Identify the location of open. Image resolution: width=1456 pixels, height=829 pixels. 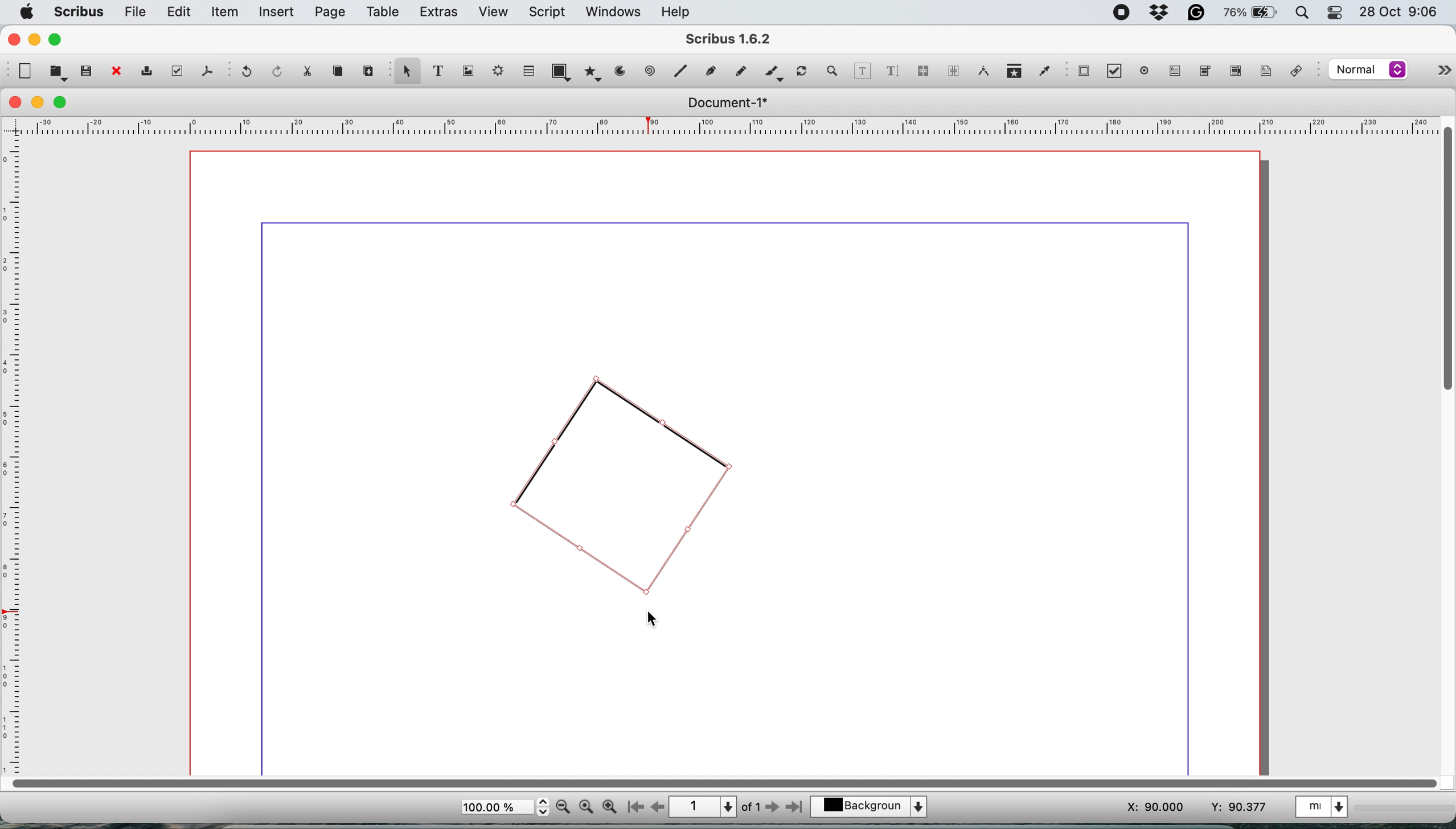
(56, 73).